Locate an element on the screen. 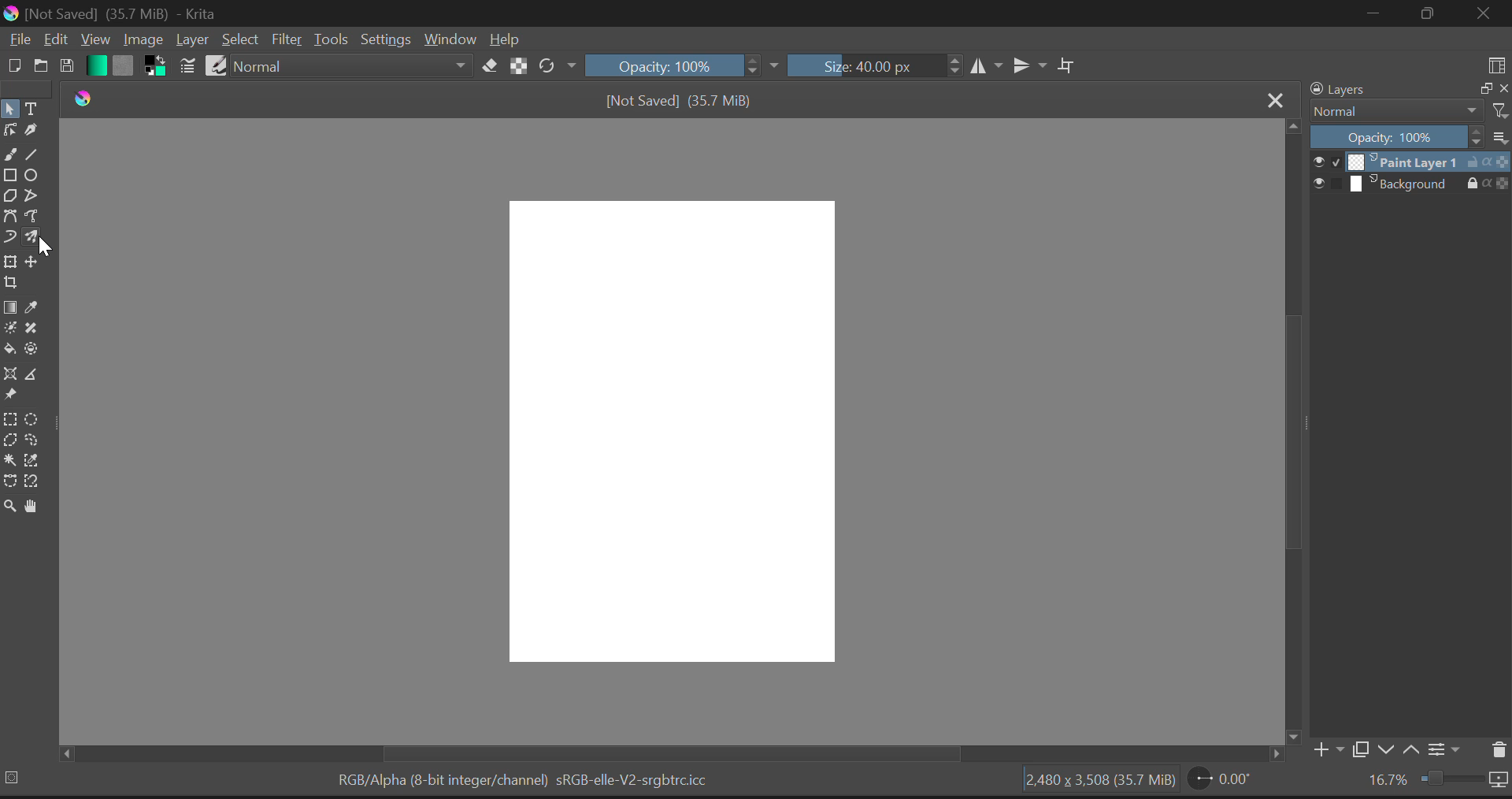 The height and width of the screenshot is (799, 1512). Help is located at coordinates (506, 41).